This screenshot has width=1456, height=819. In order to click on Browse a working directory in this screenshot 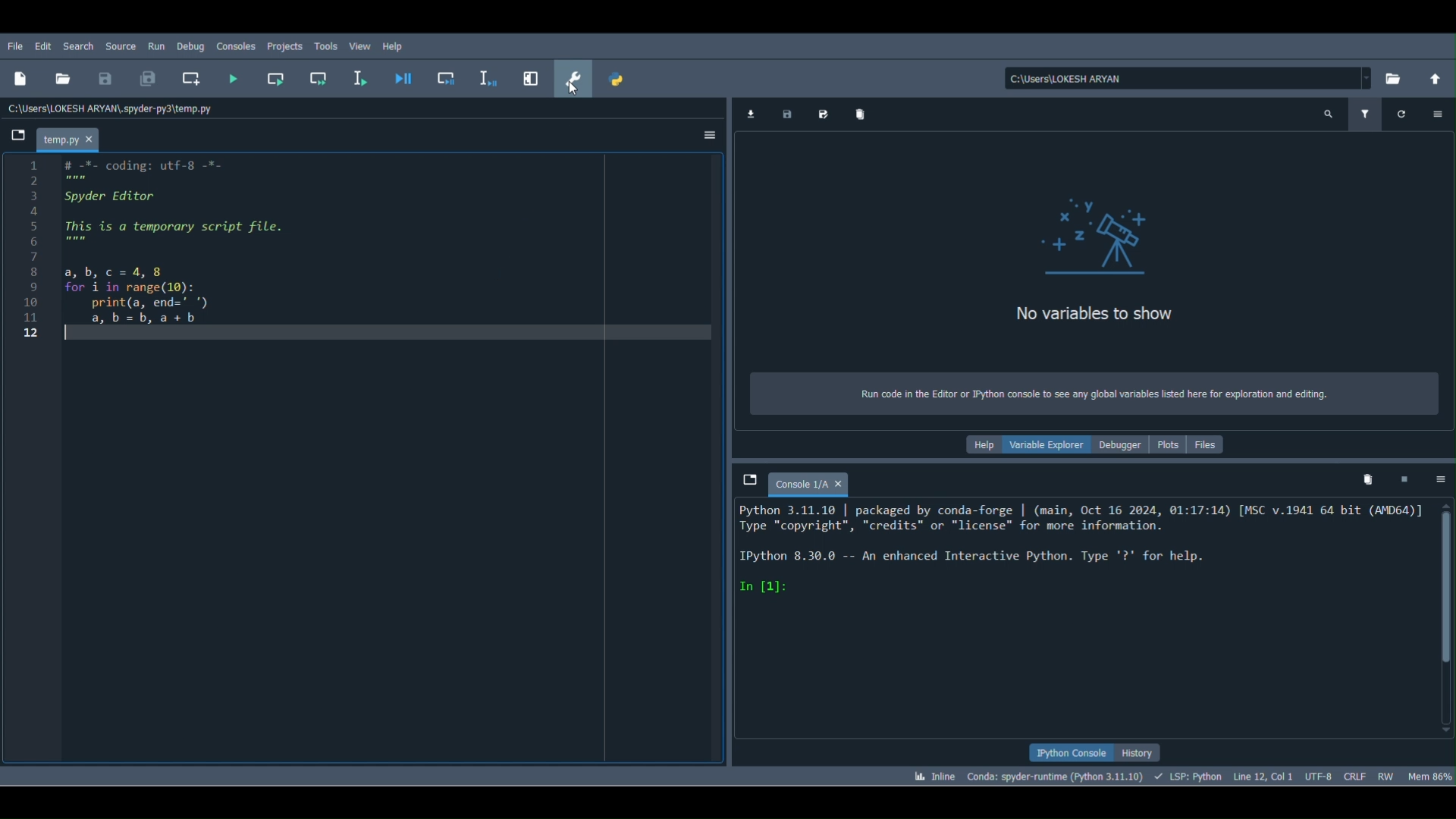, I will do `click(1393, 78)`.